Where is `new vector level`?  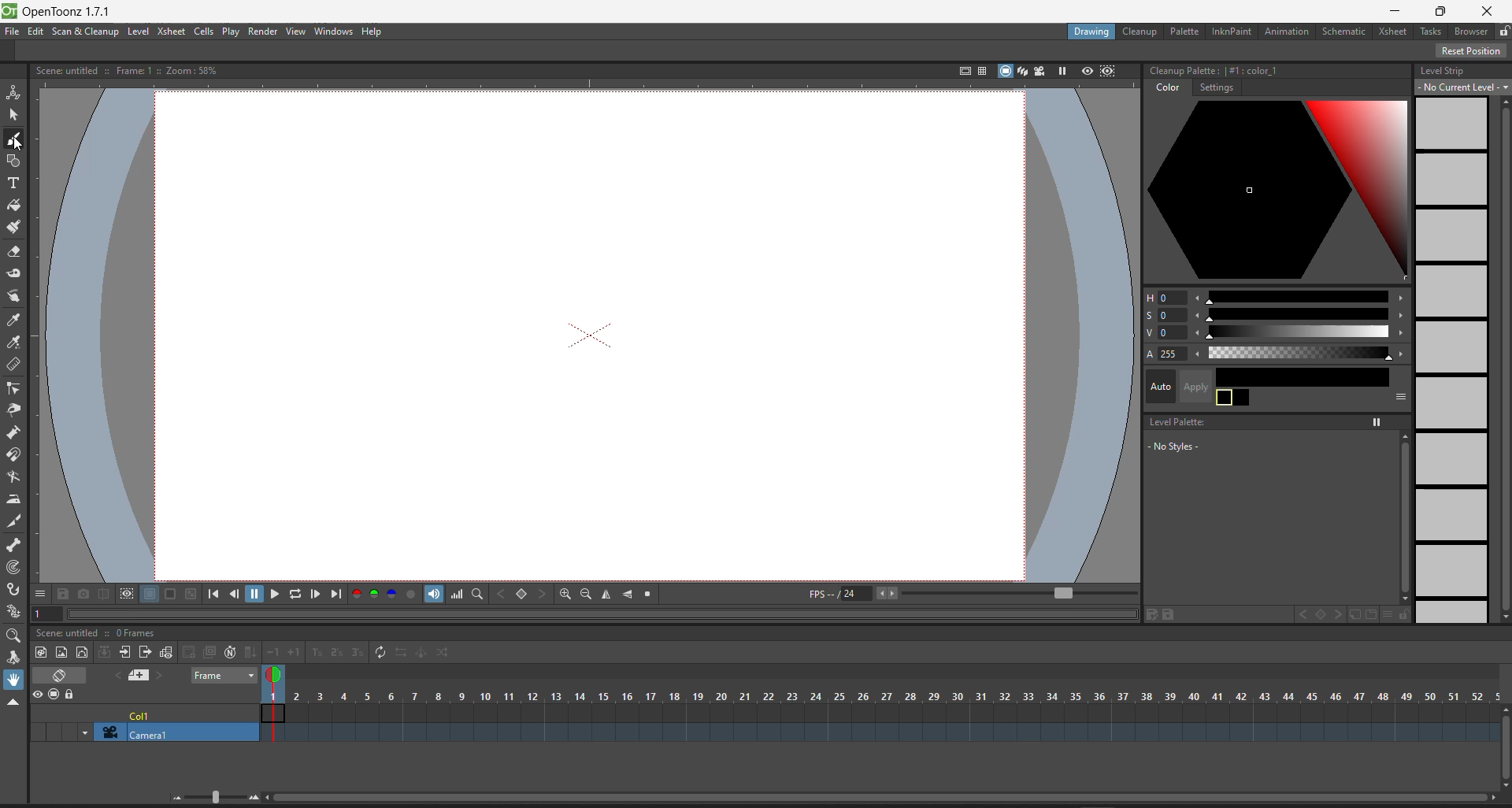 new vector level is located at coordinates (82, 651).